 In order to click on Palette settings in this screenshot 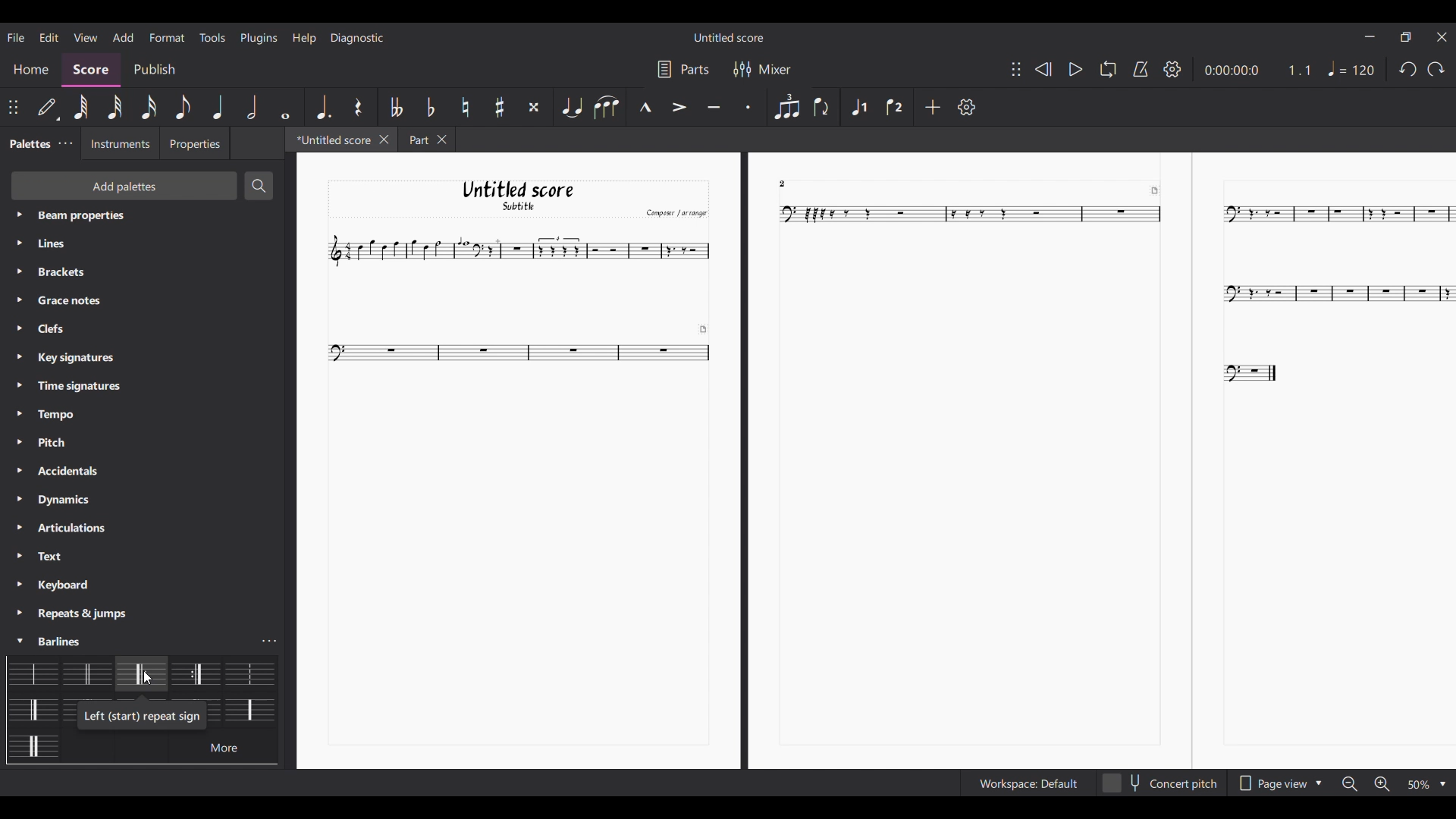, I will do `click(55, 470)`.